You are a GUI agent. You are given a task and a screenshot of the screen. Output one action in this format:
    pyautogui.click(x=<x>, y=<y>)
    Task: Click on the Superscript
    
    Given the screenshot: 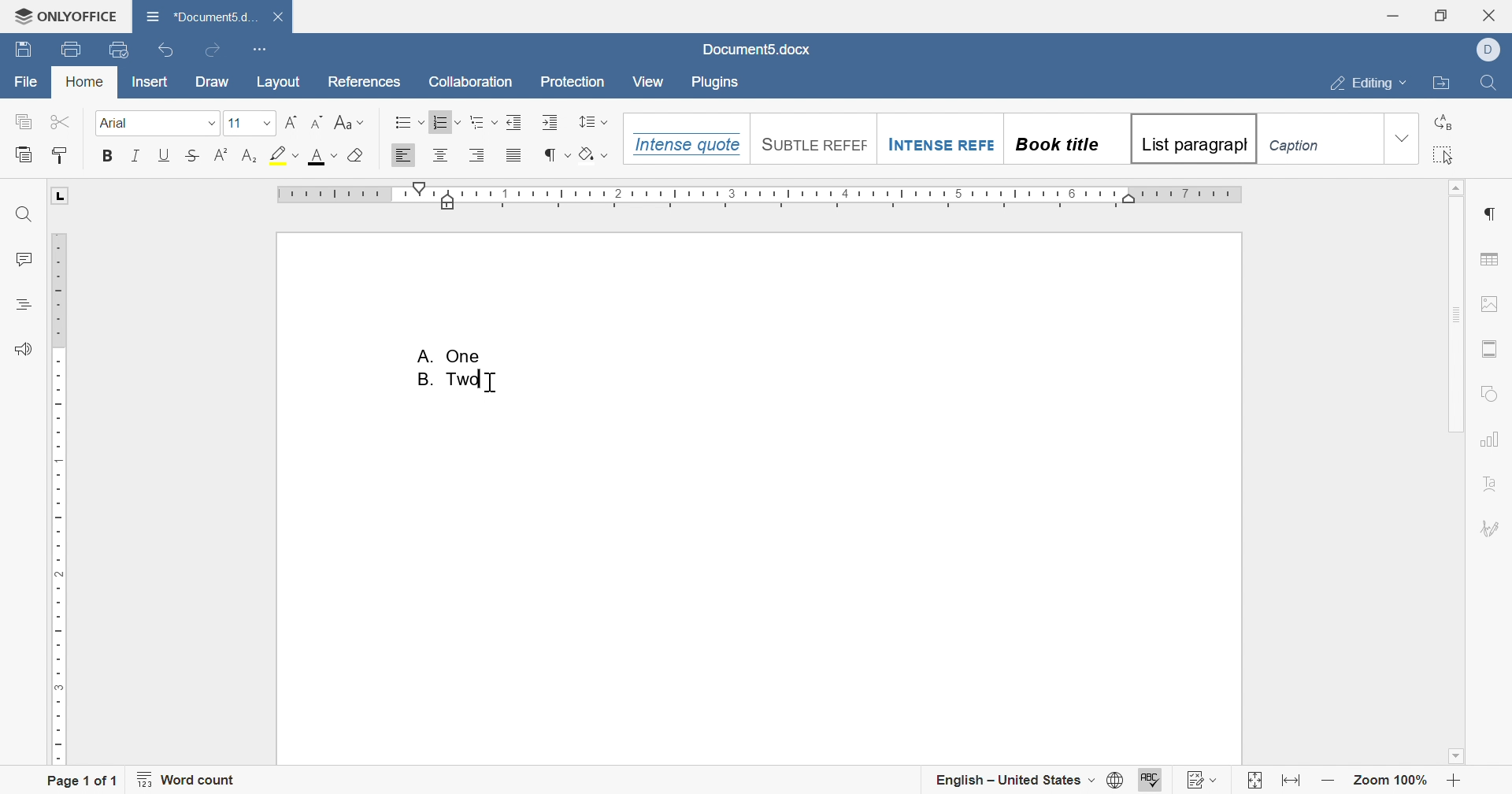 What is the action you would take?
    pyautogui.click(x=221, y=154)
    